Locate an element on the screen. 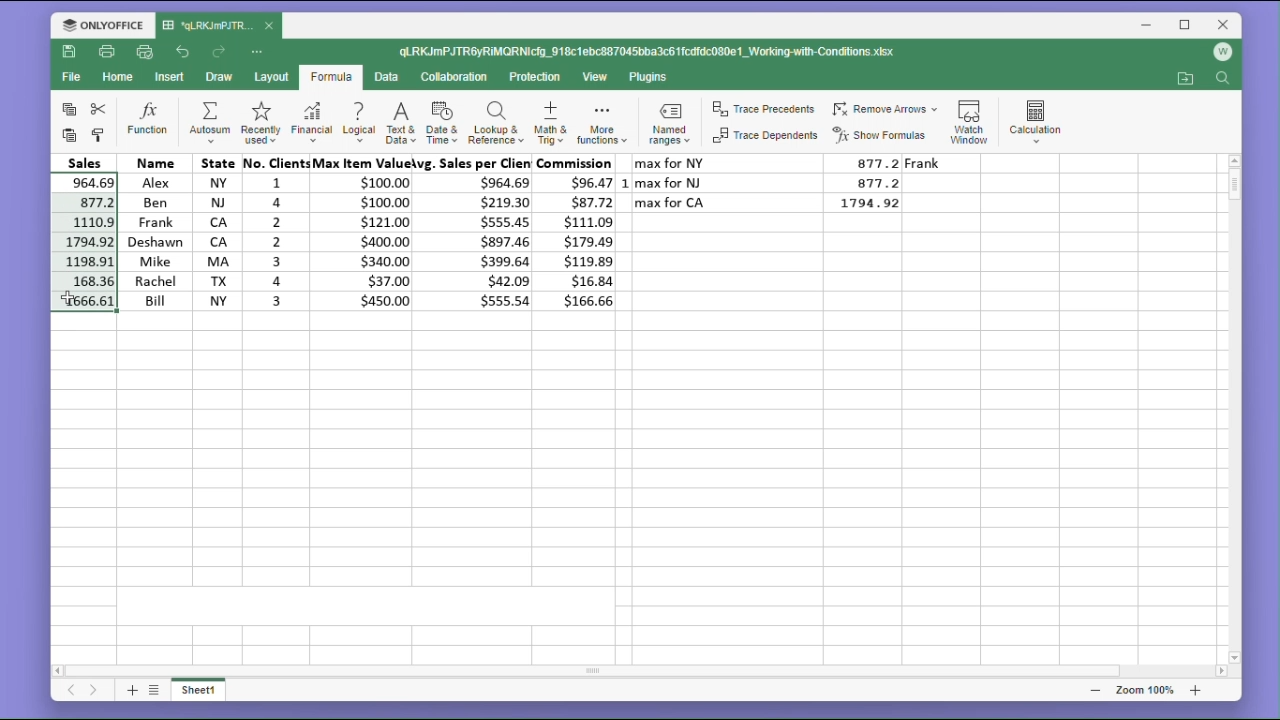  financial is located at coordinates (310, 122).